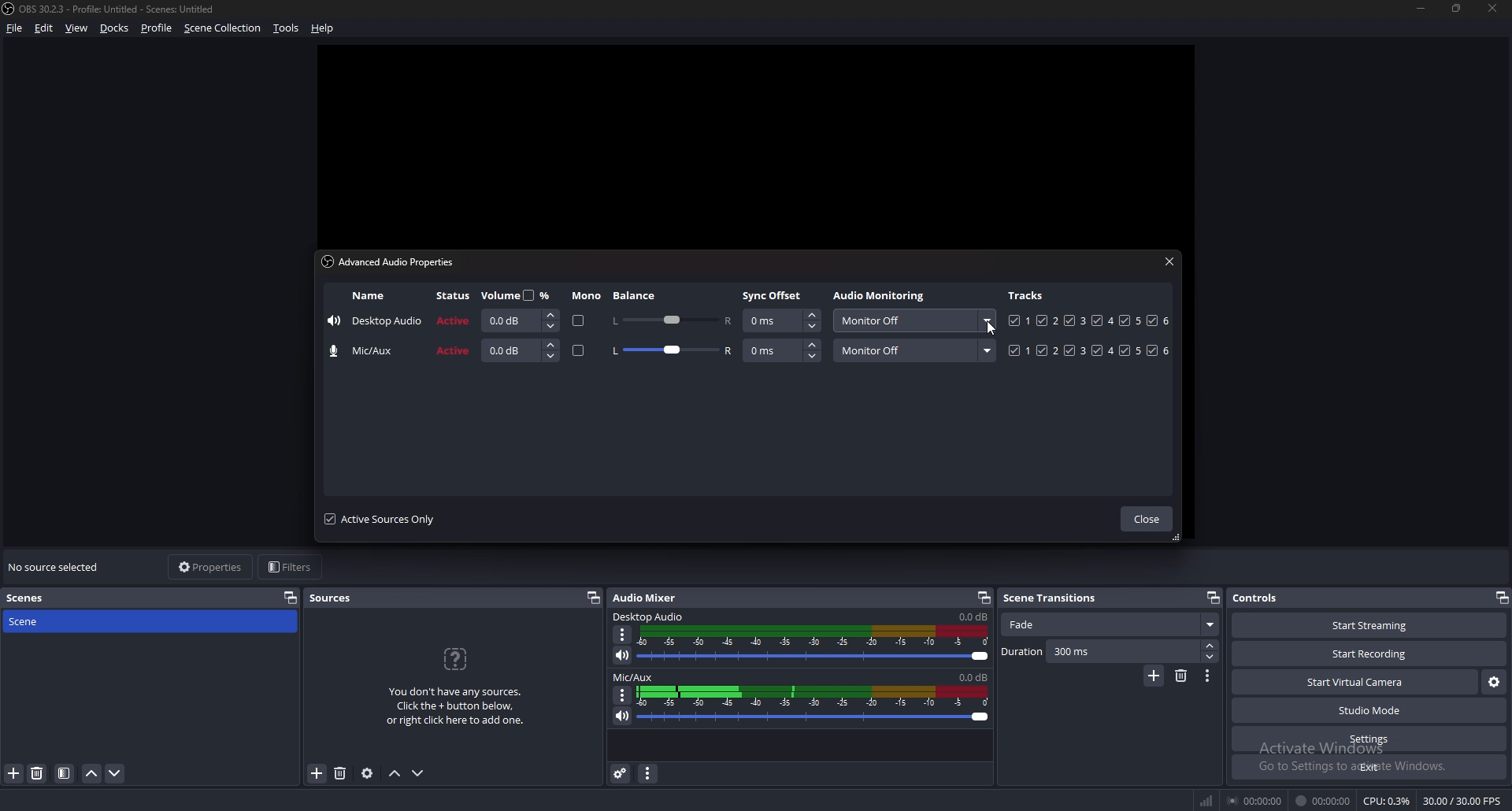 This screenshot has height=811, width=1512. Describe the element at coordinates (621, 716) in the screenshot. I see `mute` at that location.